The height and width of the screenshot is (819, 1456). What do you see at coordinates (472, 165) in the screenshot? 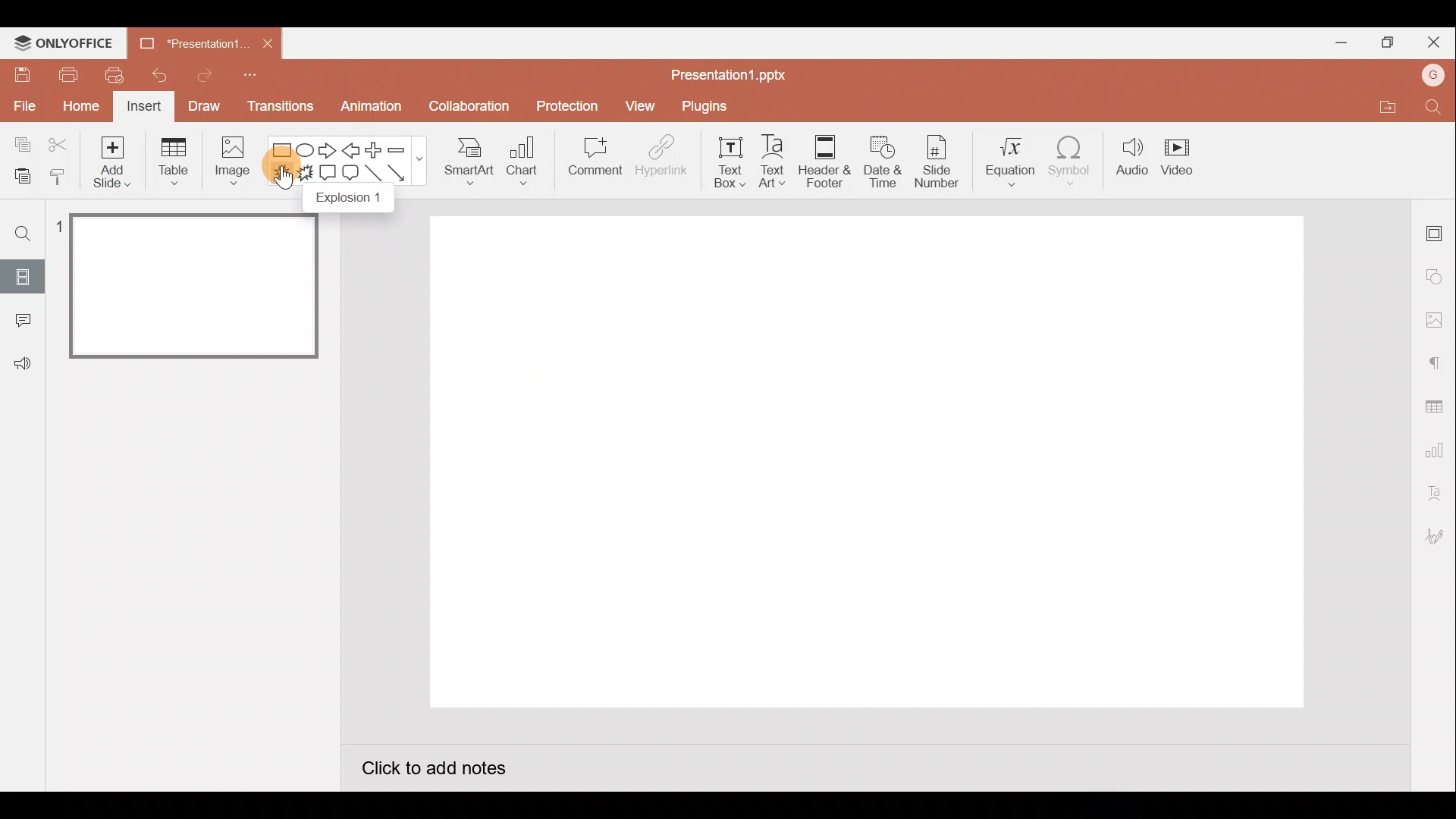
I see `Smart Art` at bounding box center [472, 165].